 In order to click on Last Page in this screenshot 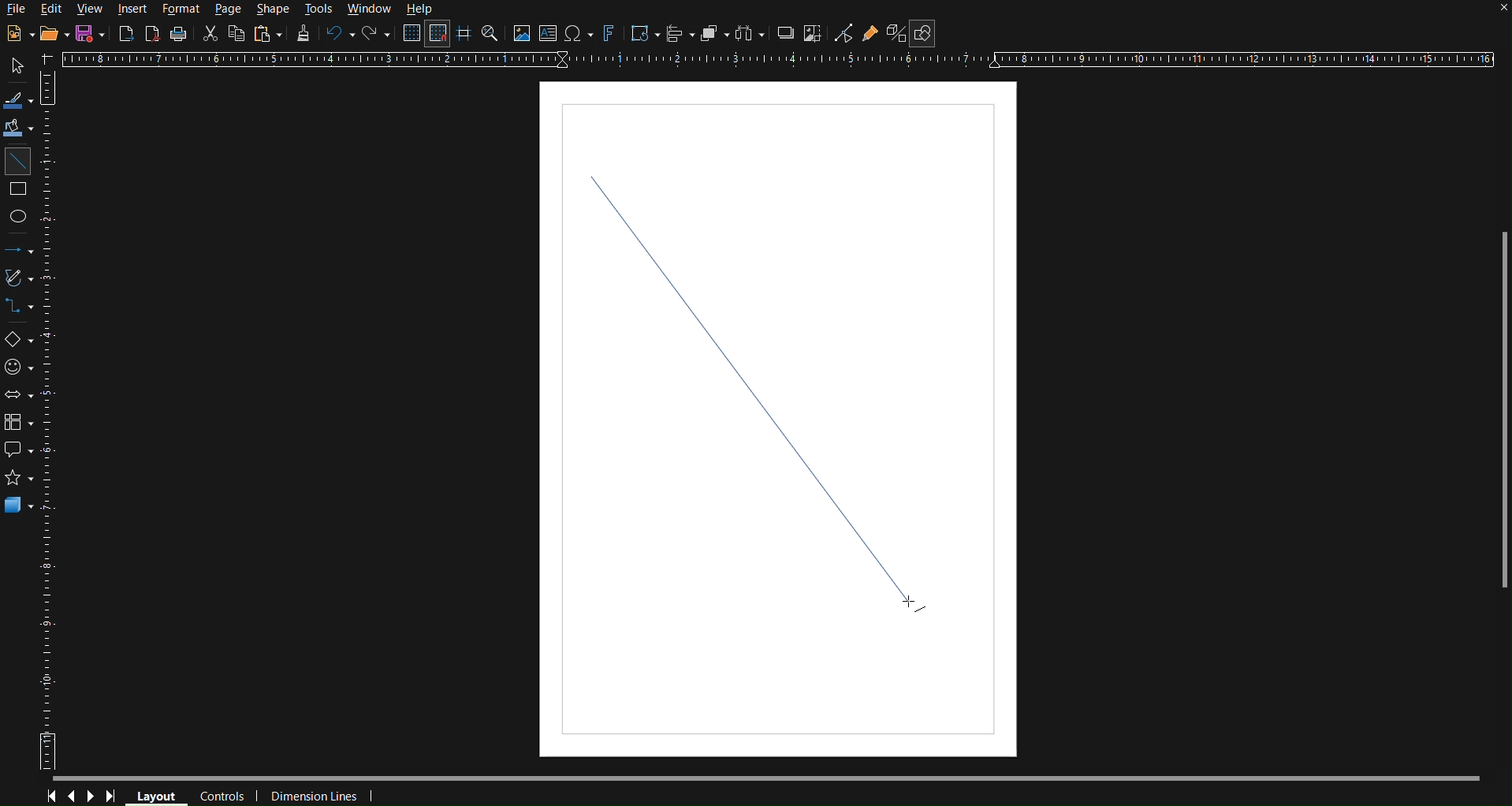, I will do `click(115, 796)`.